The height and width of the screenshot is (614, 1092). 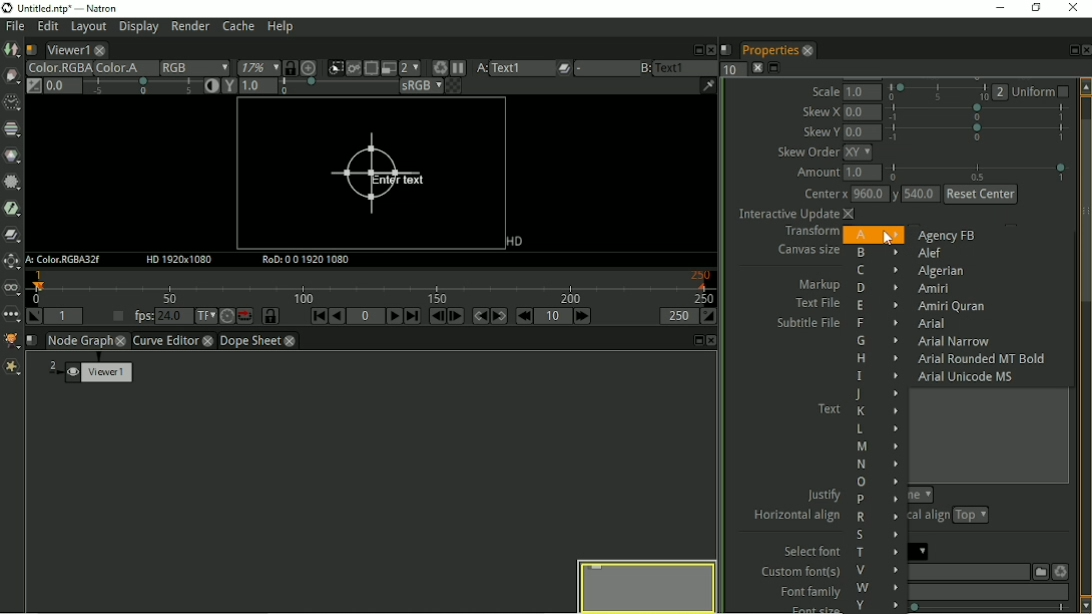 I want to click on Scale, so click(x=826, y=91).